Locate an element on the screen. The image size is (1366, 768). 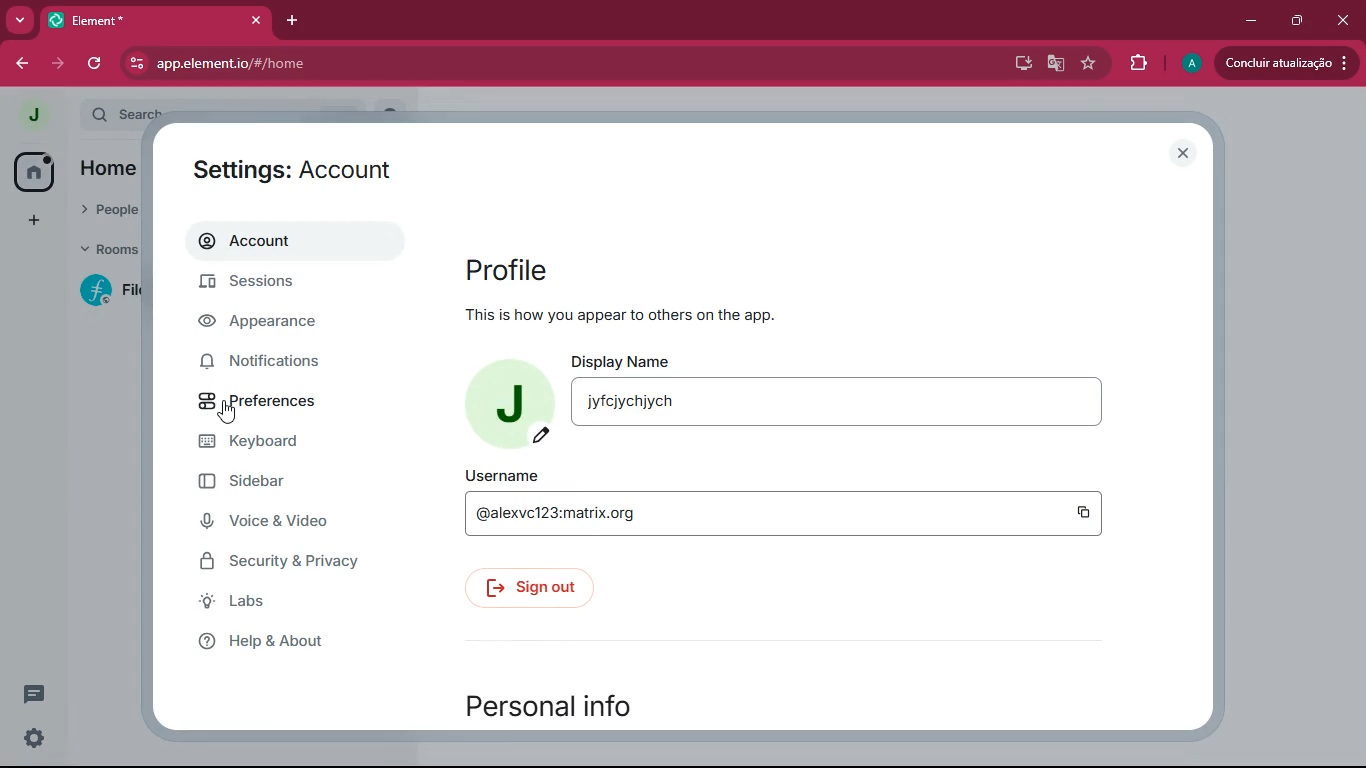
profile is located at coordinates (523, 266).